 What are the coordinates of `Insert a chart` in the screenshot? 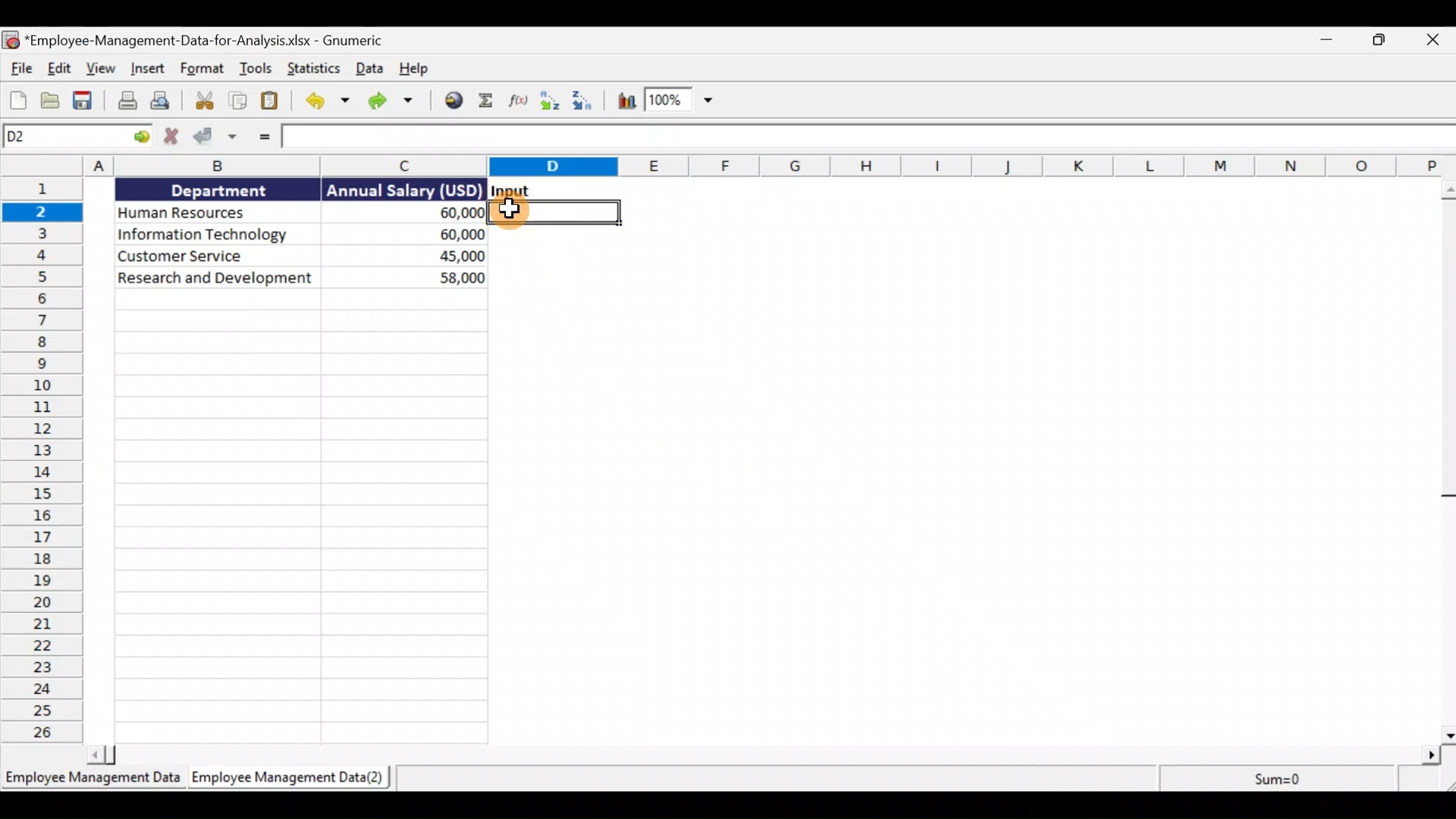 It's located at (626, 105).